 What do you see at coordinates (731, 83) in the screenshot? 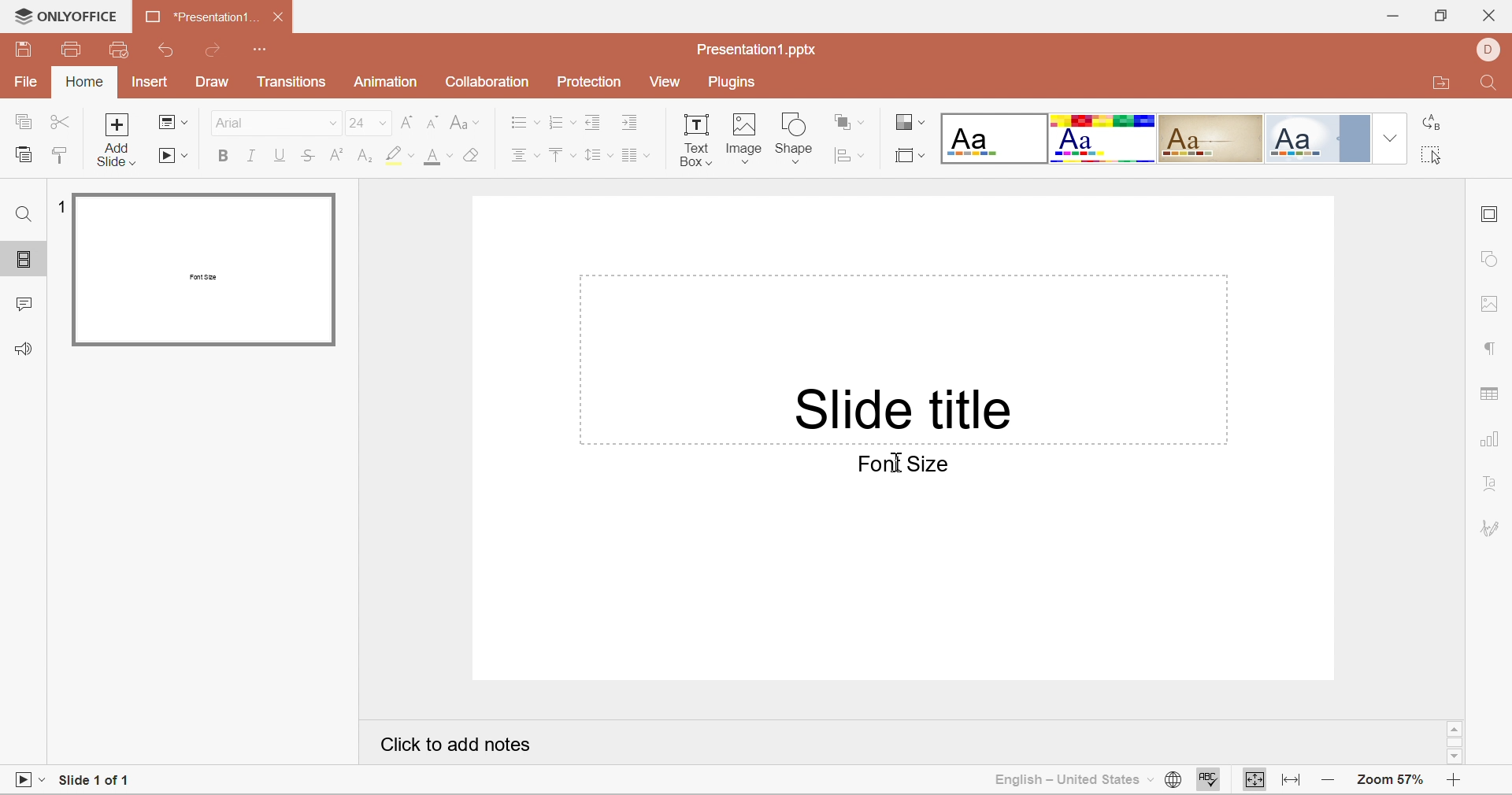
I see `Plugins` at bounding box center [731, 83].